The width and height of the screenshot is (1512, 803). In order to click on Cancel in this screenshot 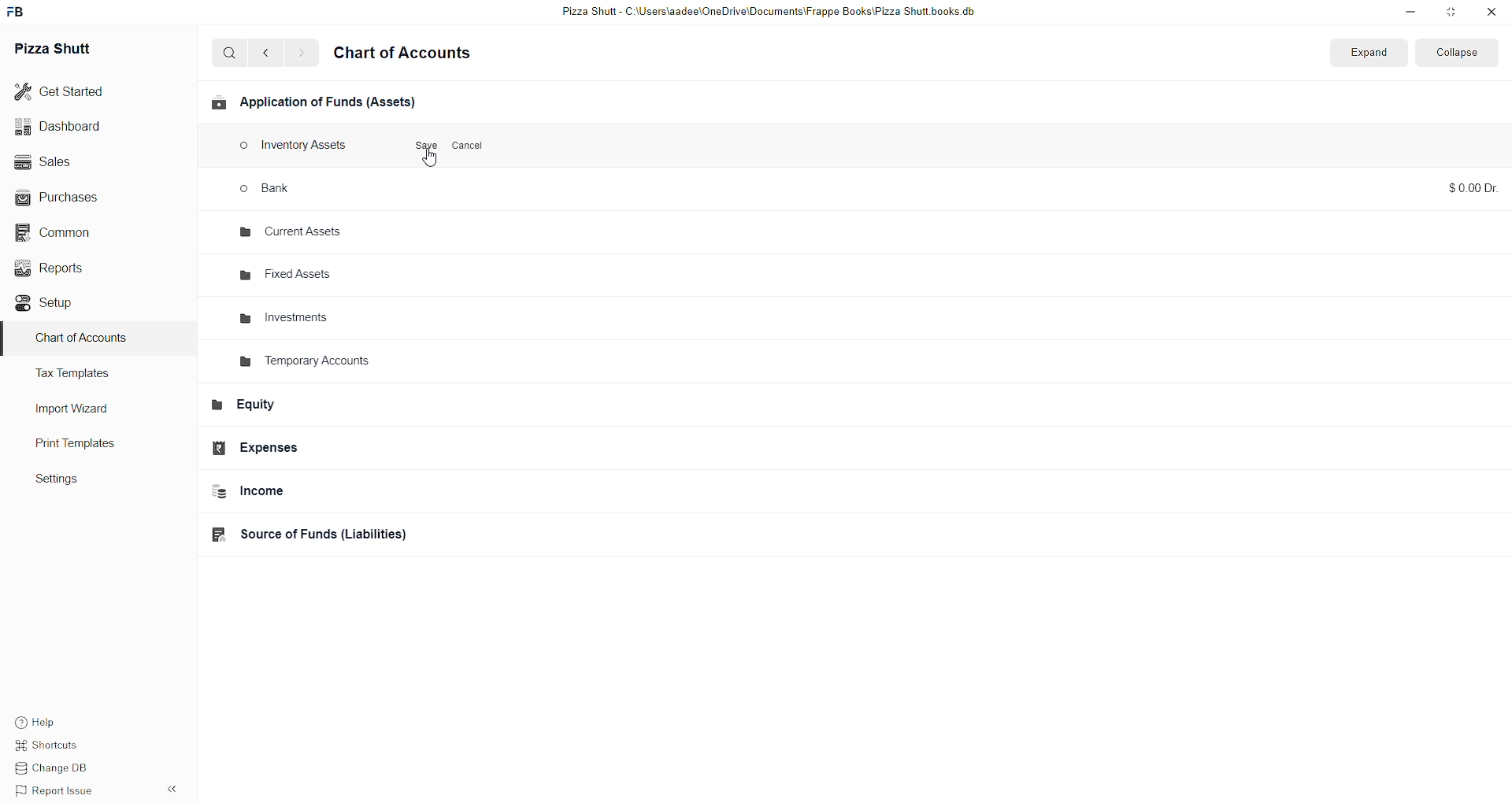, I will do `click(472, 146)`.